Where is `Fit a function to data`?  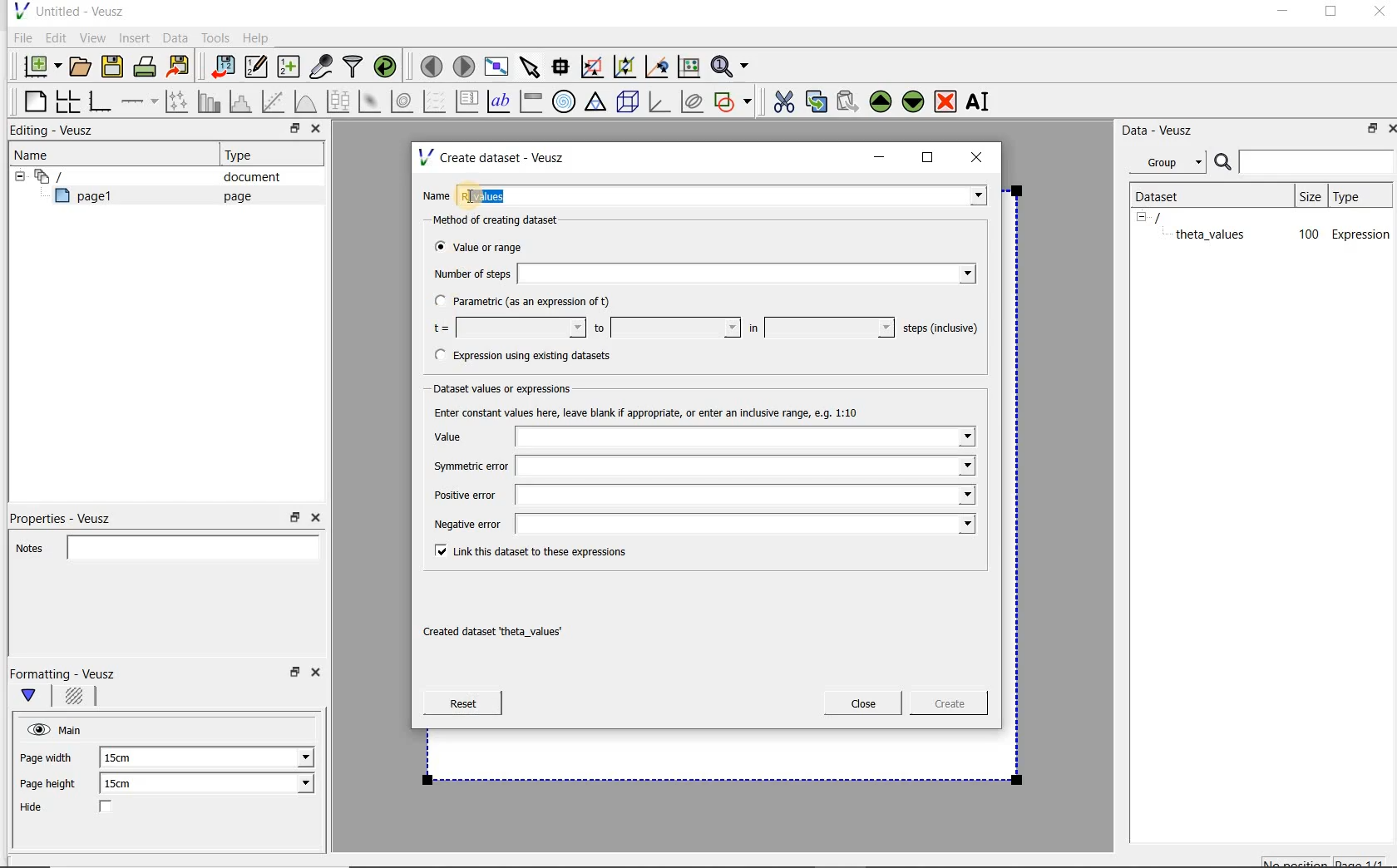
Fit a function to data is located at coordinates (275, 101).